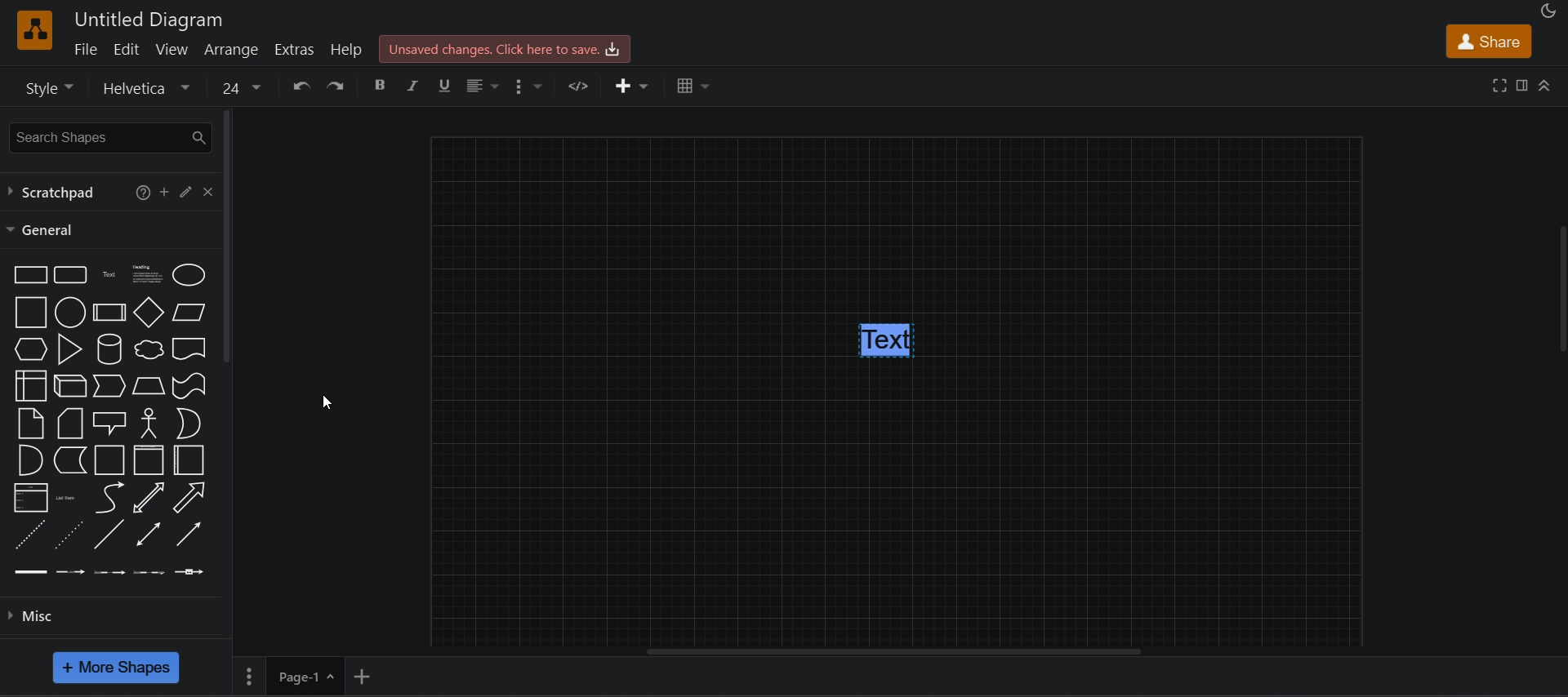  Describe the element at coordinates (30, 534) in the screenshot. I see `Dashed line` at that location.